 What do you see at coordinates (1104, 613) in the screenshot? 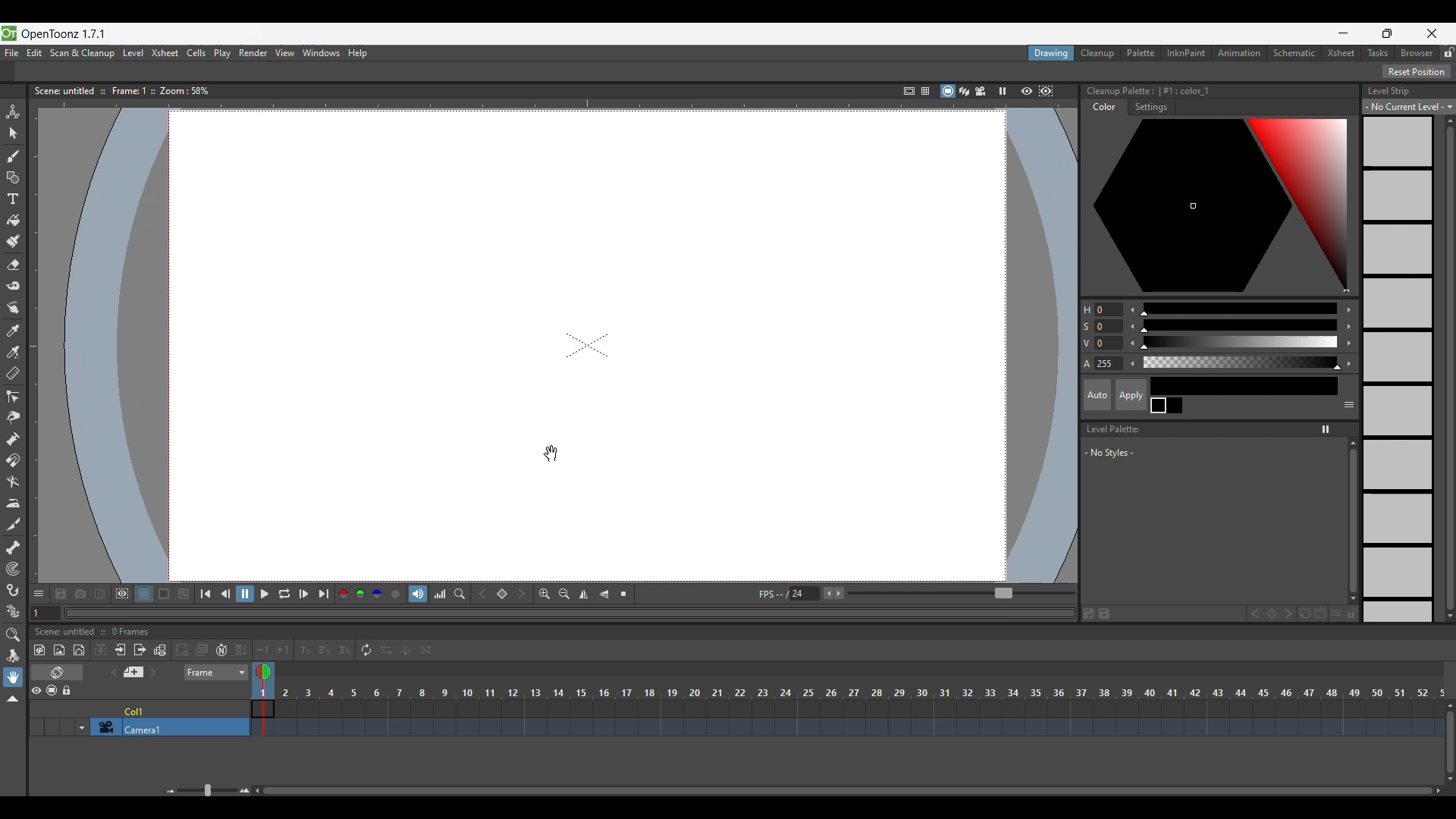
I see `Save palette` at bounding box center [1104, 613].